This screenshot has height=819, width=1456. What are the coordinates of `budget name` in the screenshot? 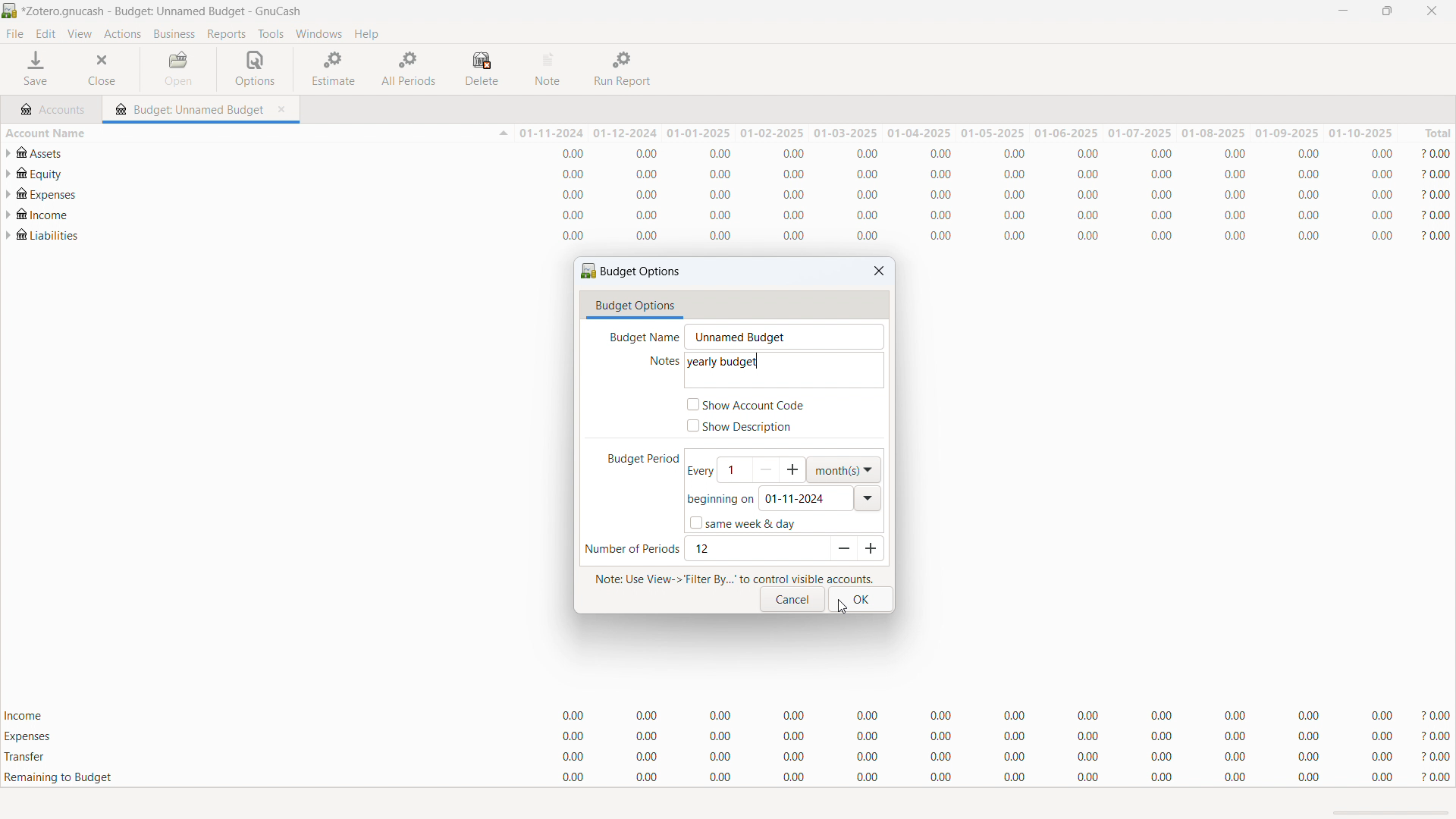 It's located at (783, 337).